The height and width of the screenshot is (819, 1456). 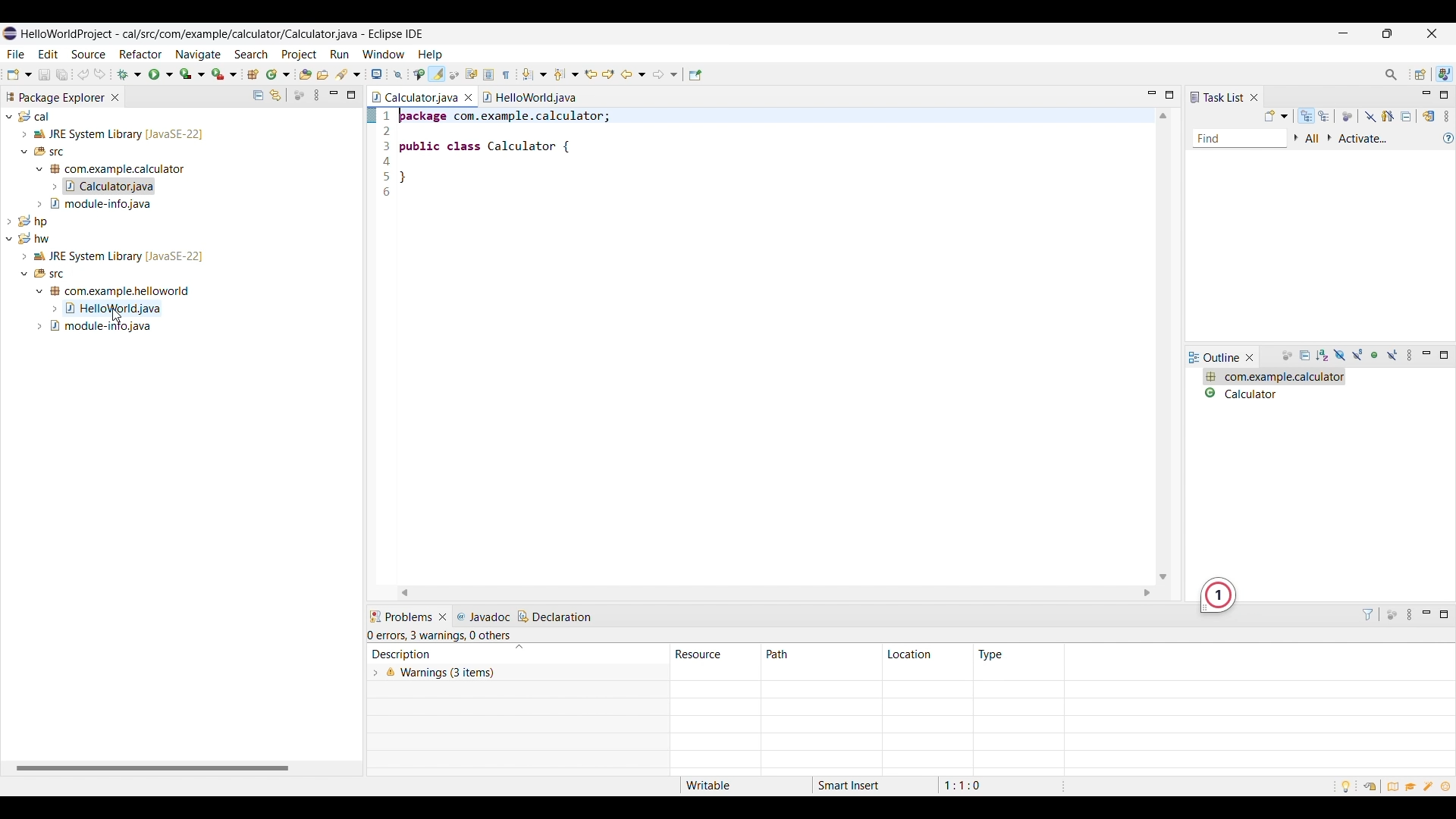 I want to click on HelloWorldProject - cal/src/com/example/calculator/Calculator.java - Eclipse IDE, so click(x=222, y=33).